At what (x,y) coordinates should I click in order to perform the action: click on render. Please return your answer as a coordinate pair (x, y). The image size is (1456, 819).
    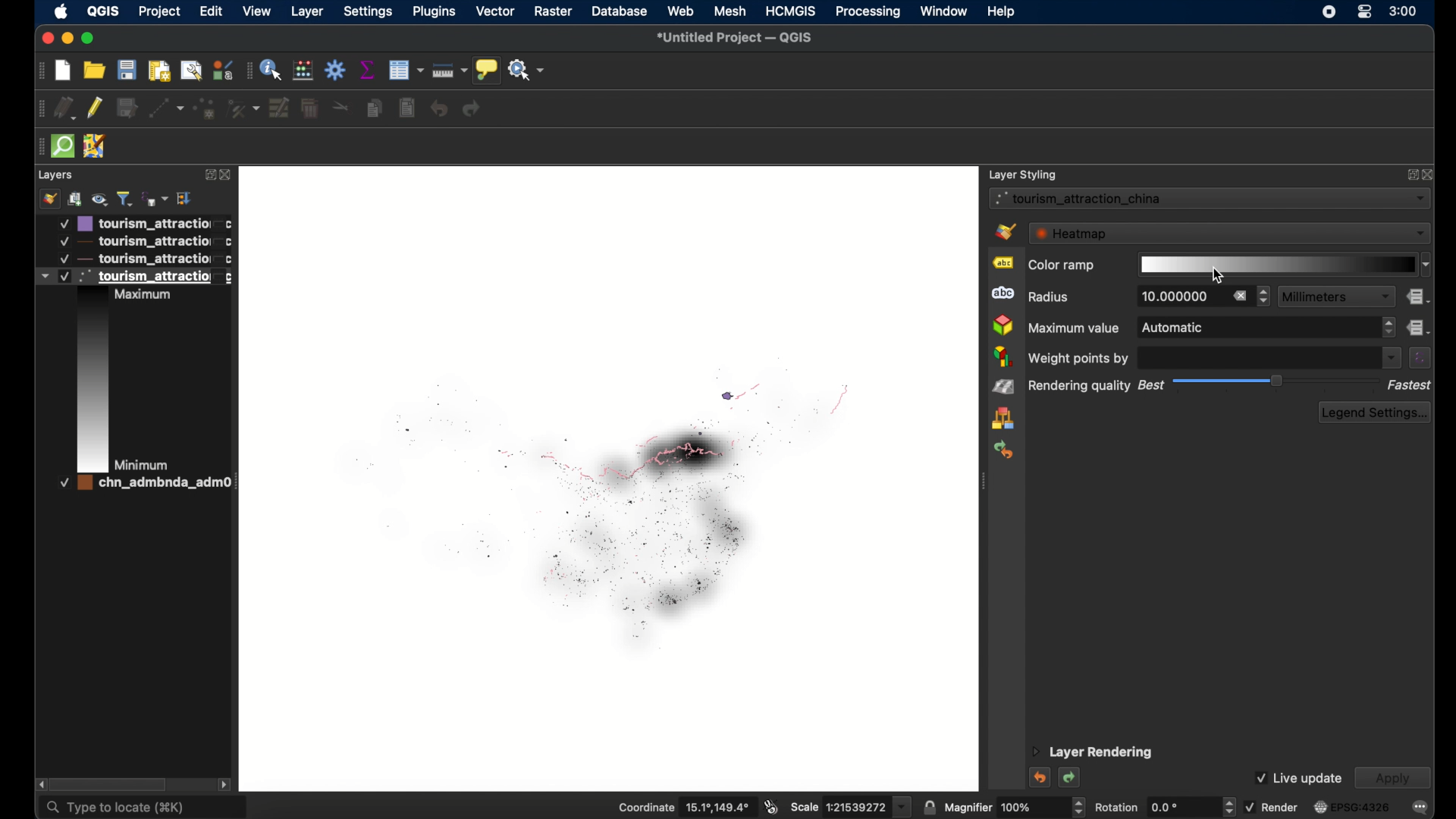
    Looking at the image, I should click on (1271, 806).